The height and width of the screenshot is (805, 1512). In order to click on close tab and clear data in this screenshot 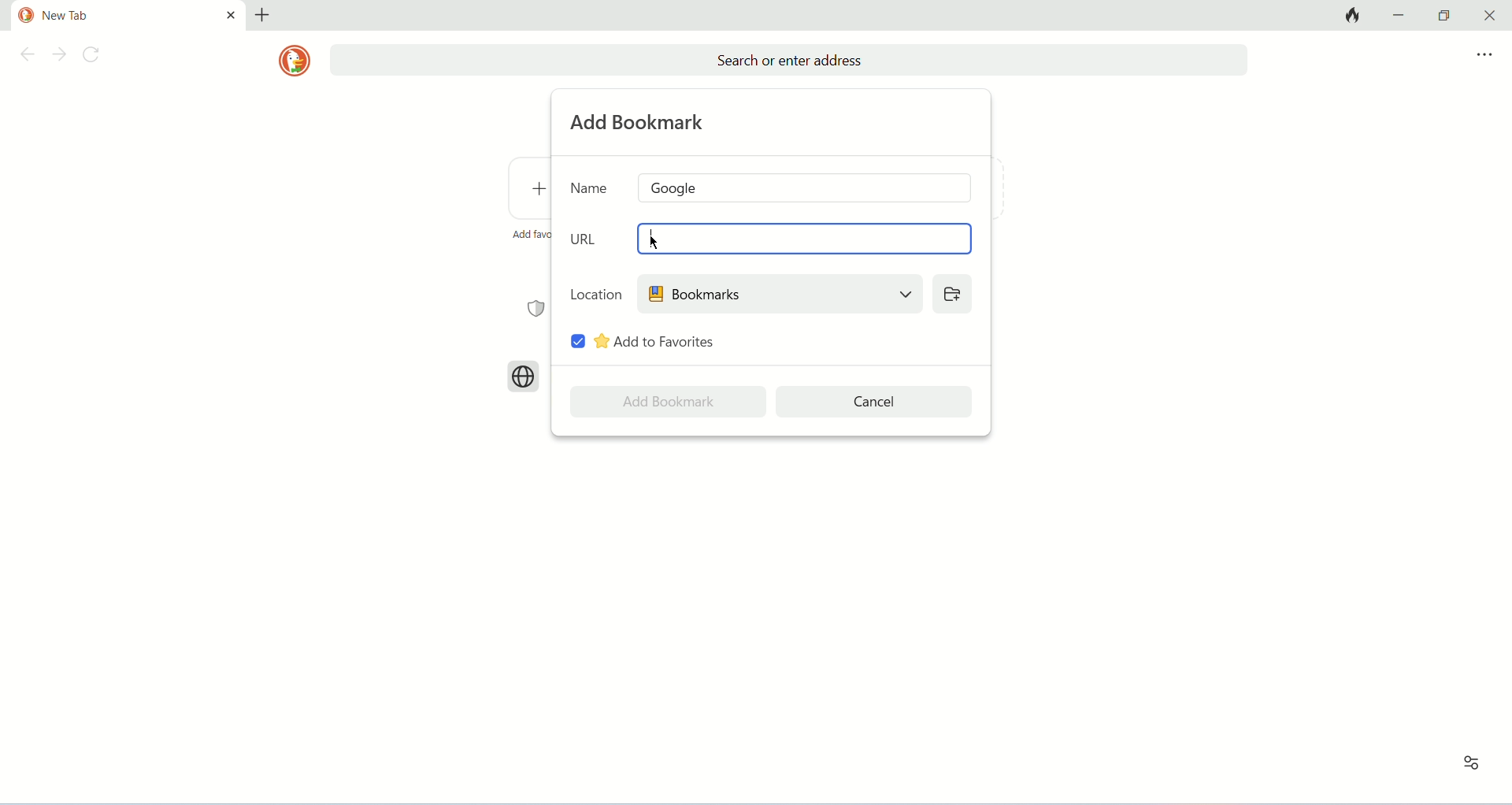, I will do `click(1351, 15)`.